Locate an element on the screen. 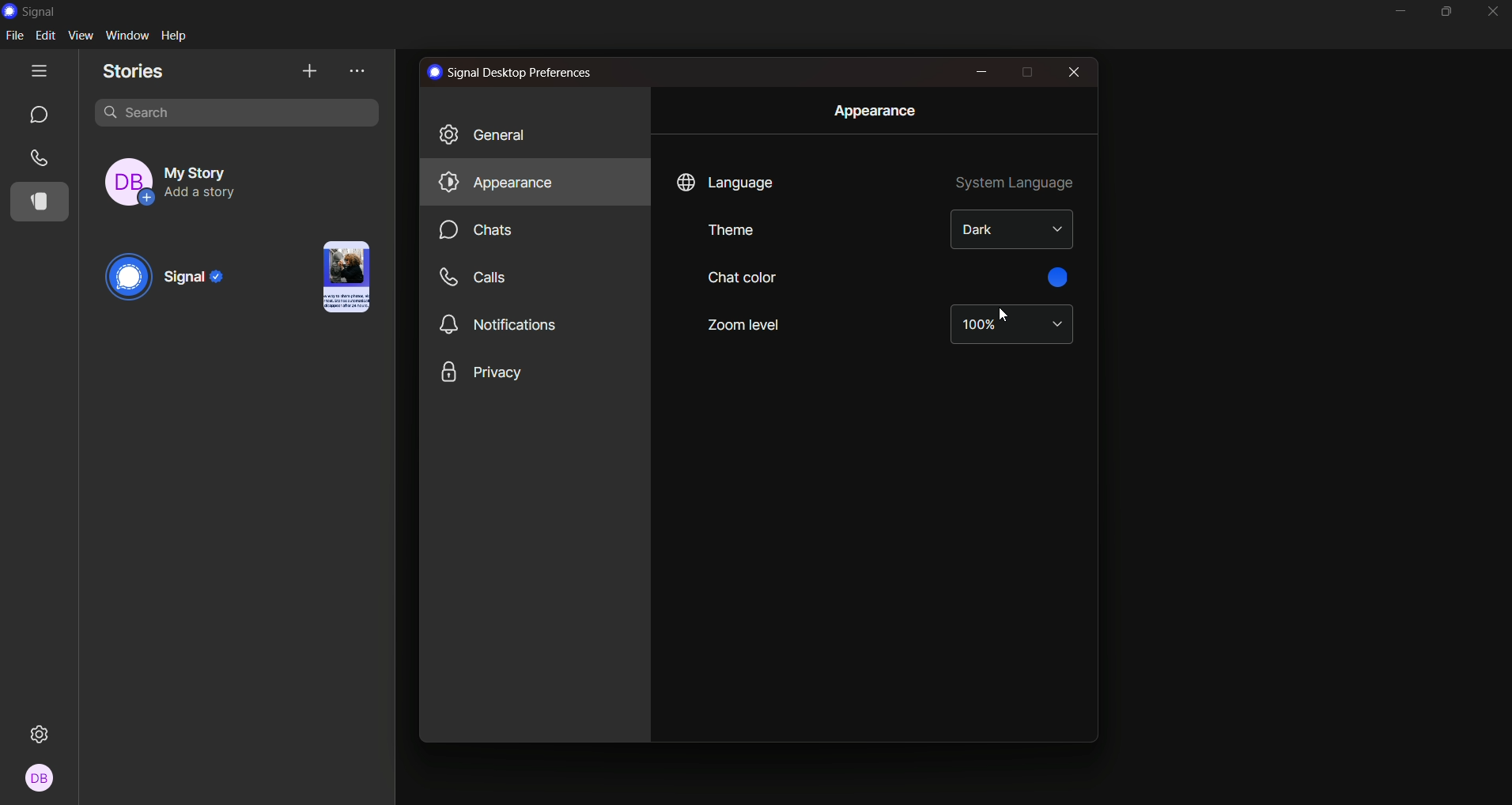 The height and width of the screenshot is (805, 1512). my story is located at coordinates (191, 178).